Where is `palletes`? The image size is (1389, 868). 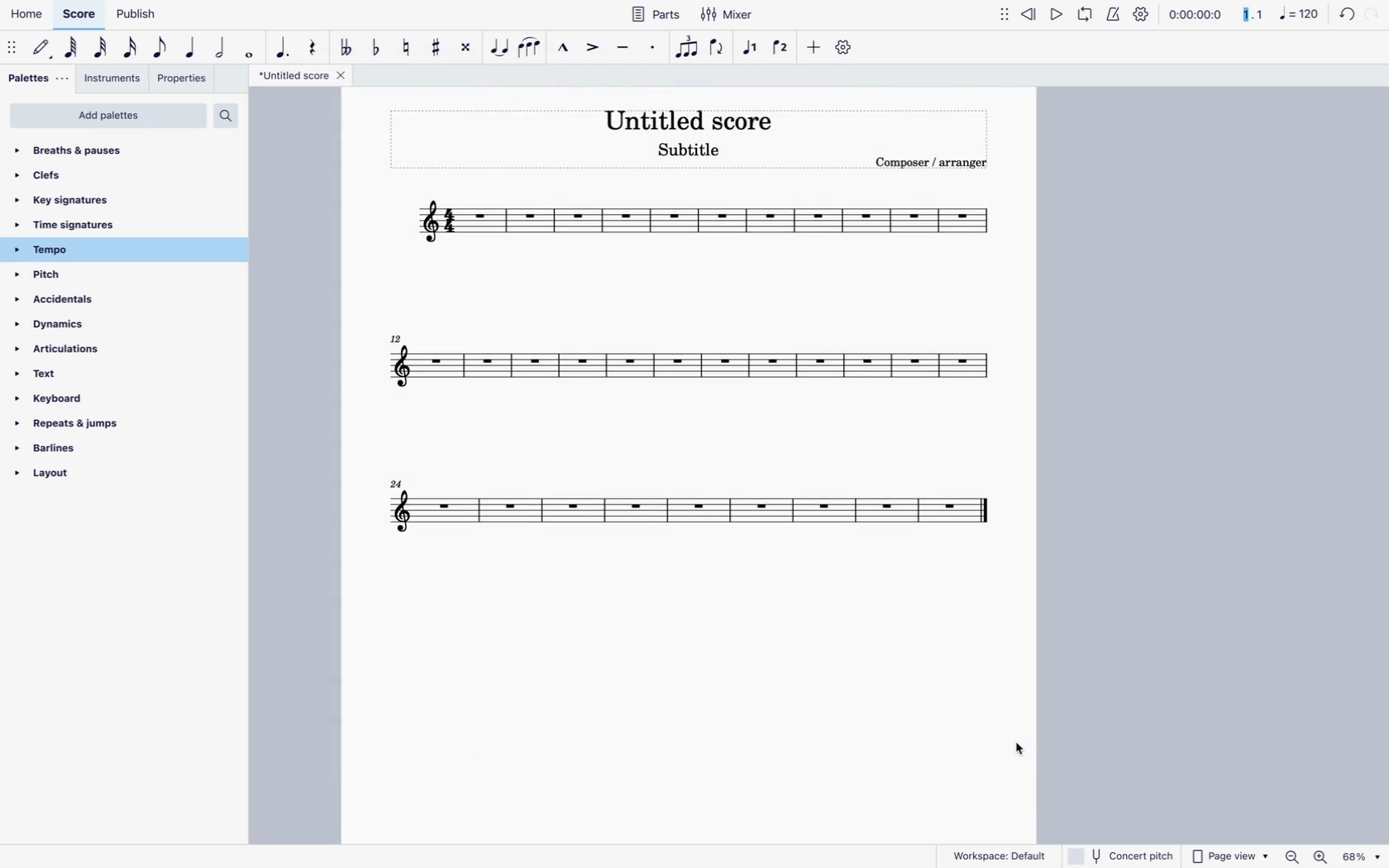
palletes is located at coordinates (36, 79).